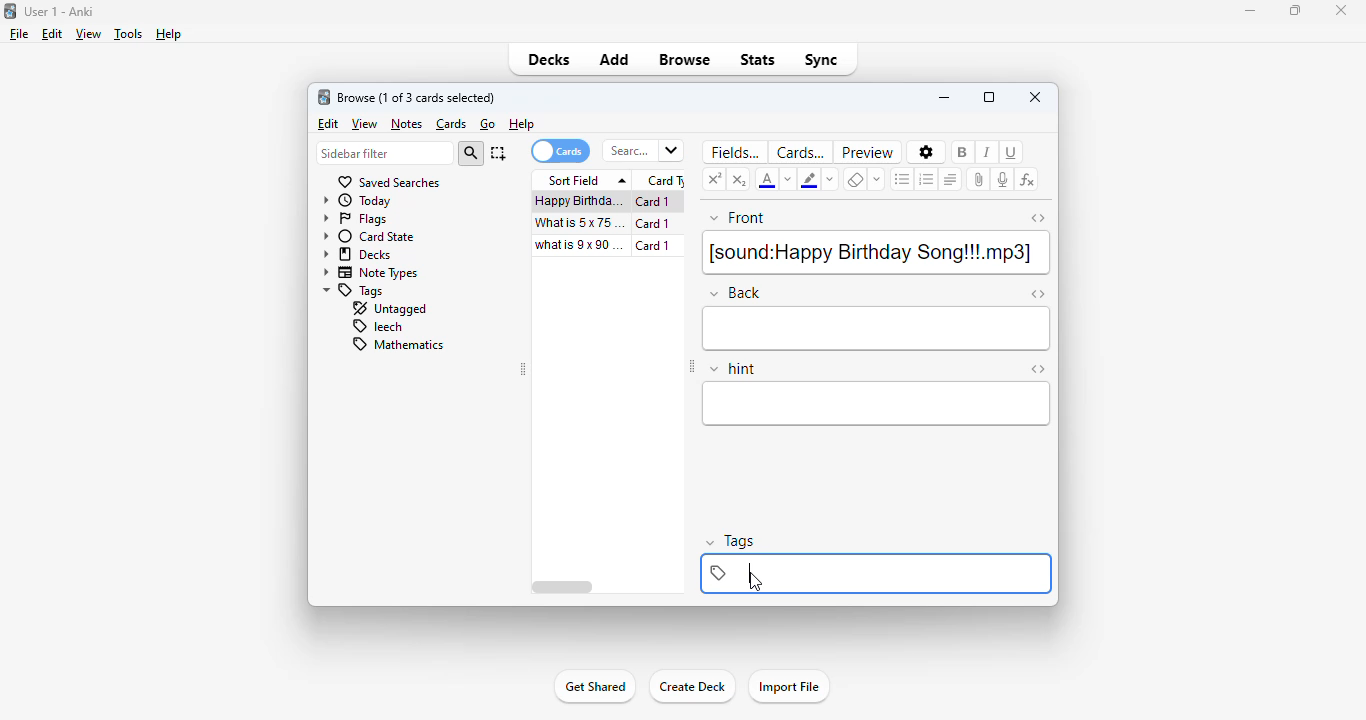 This screenshot has height=720, width=1366. Describe the element at coordinates (417, 98) in the screenshot. I see `browse (1 of 3 cards selected)` at that location.